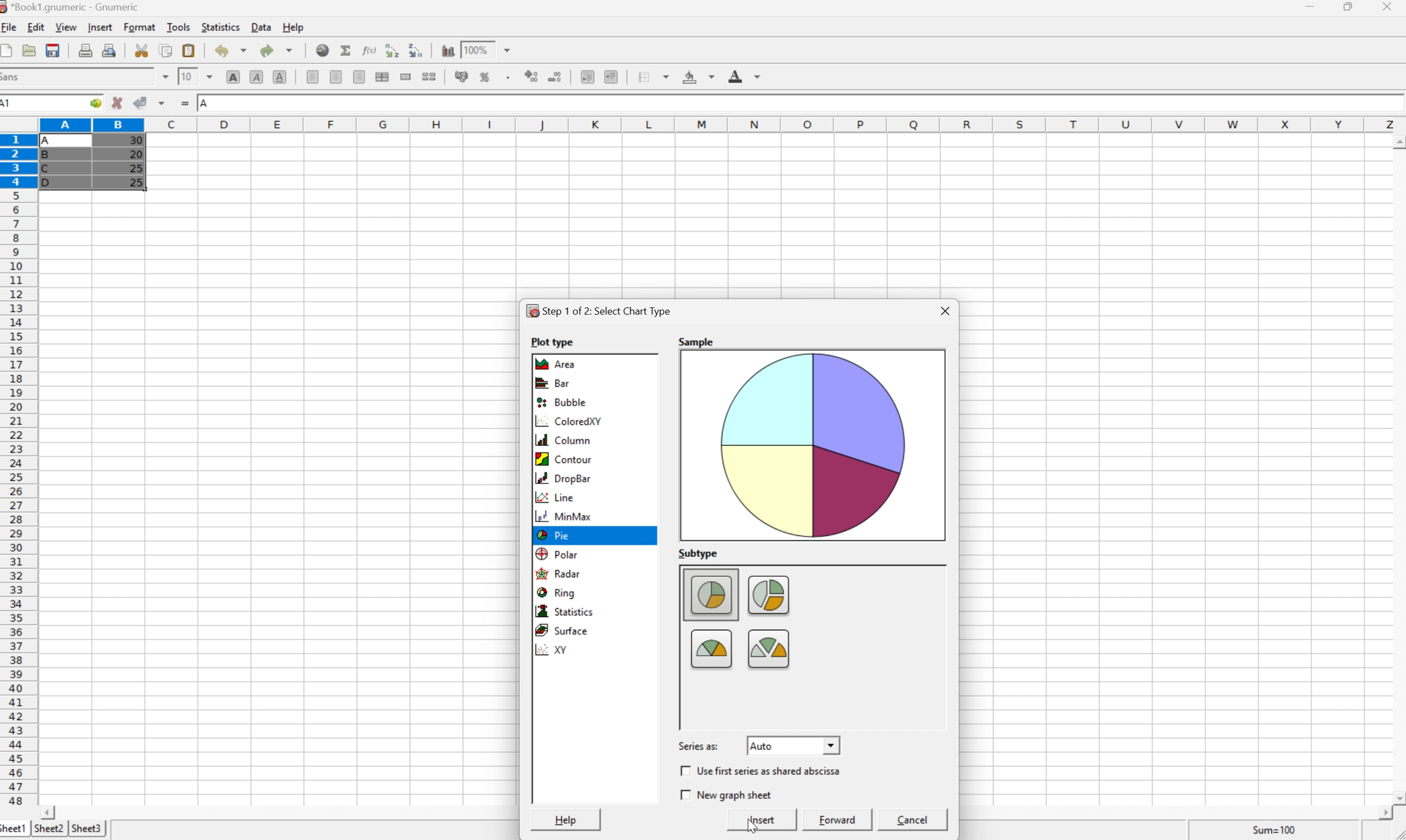 Image resolution: width=1406 pixels, height=840 pixels. I want to click on Subtype, so click(697, 552).